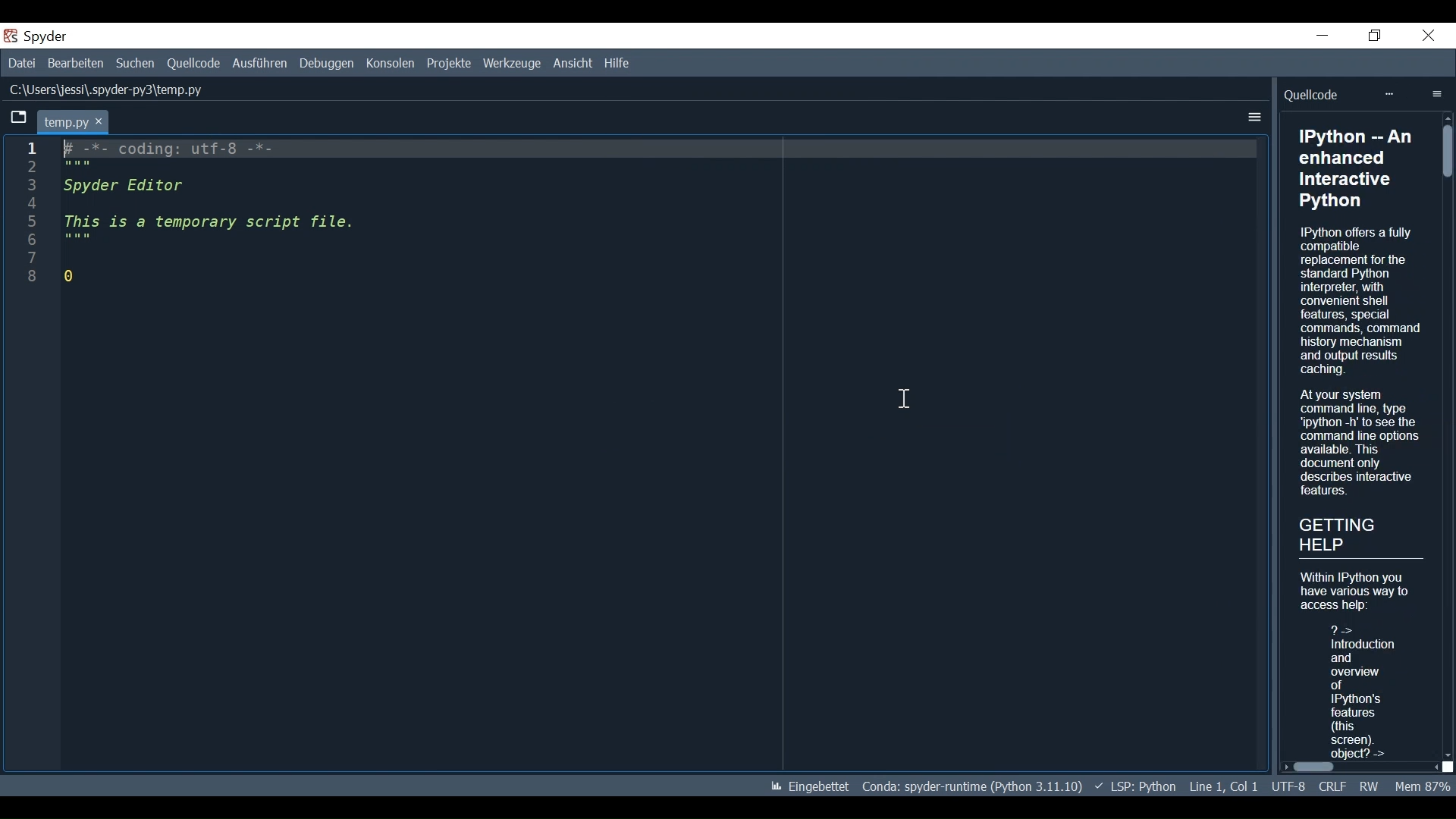 The image size is (1456, 819). Describe the element at coordinates (392, 63) in the screenshot. I see `Consoles` at that location.